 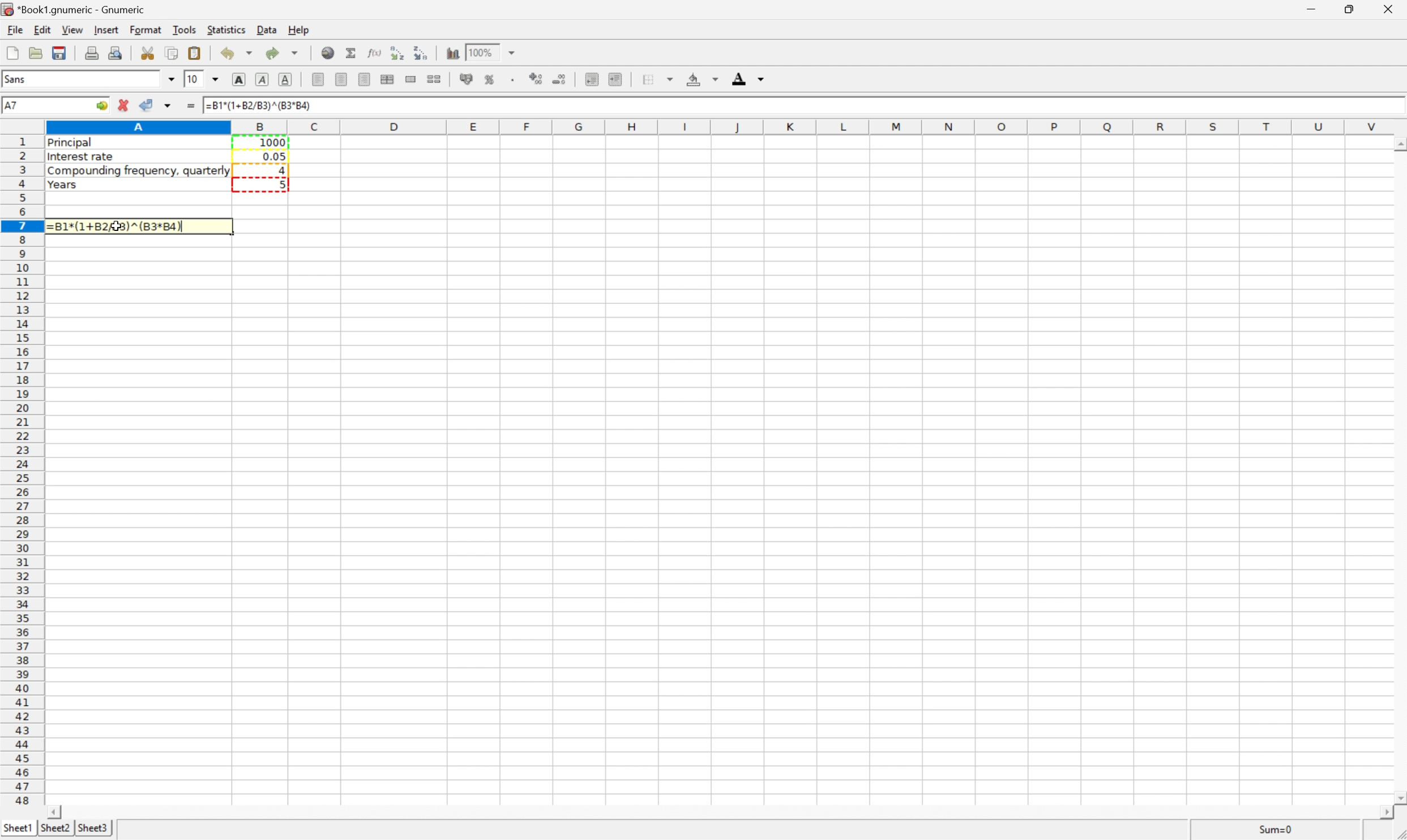 I want to click on split merged range of cells, so click(x=434, y=79).